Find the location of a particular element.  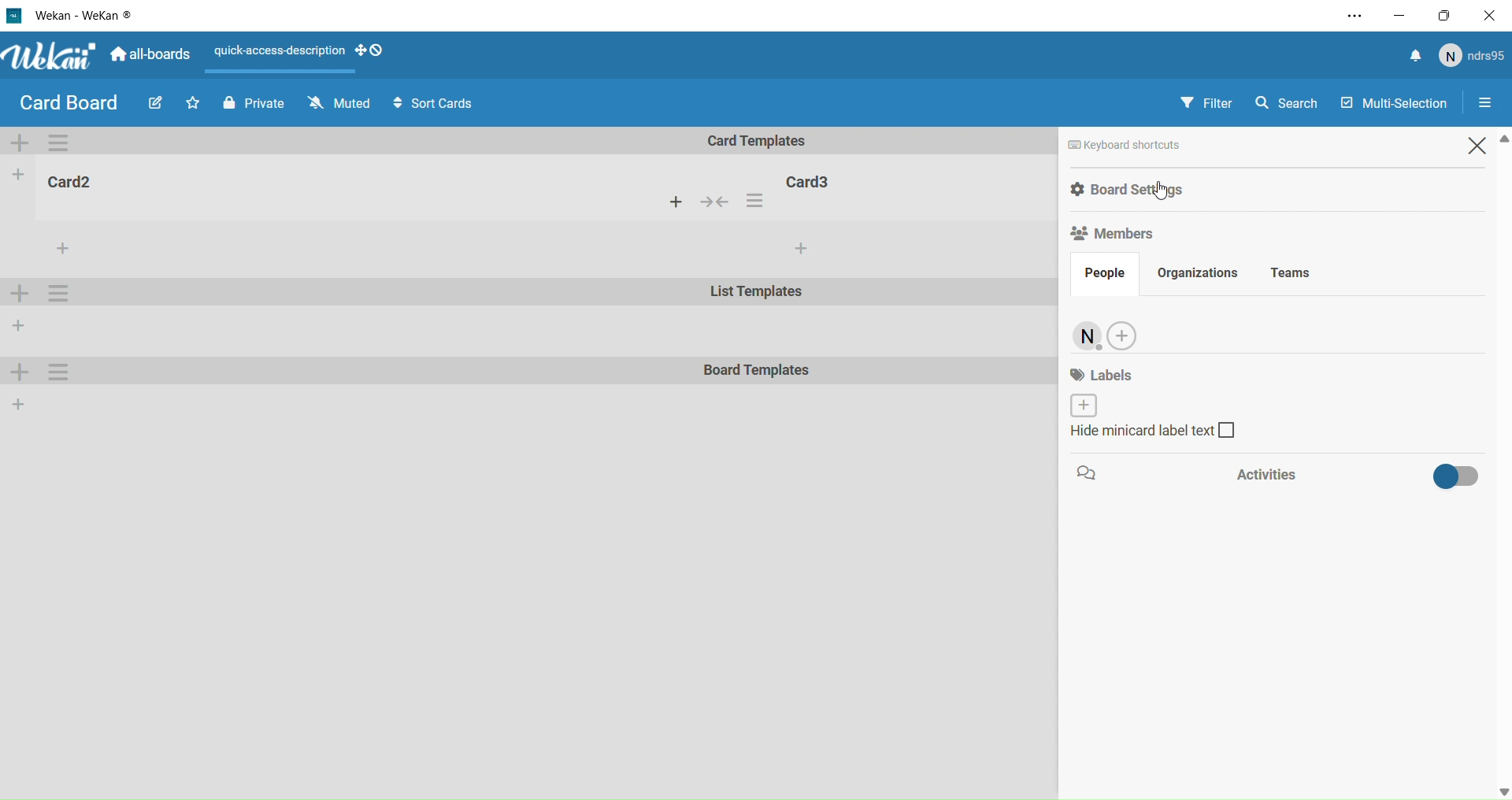

box is located at coordinates (1449, 15).